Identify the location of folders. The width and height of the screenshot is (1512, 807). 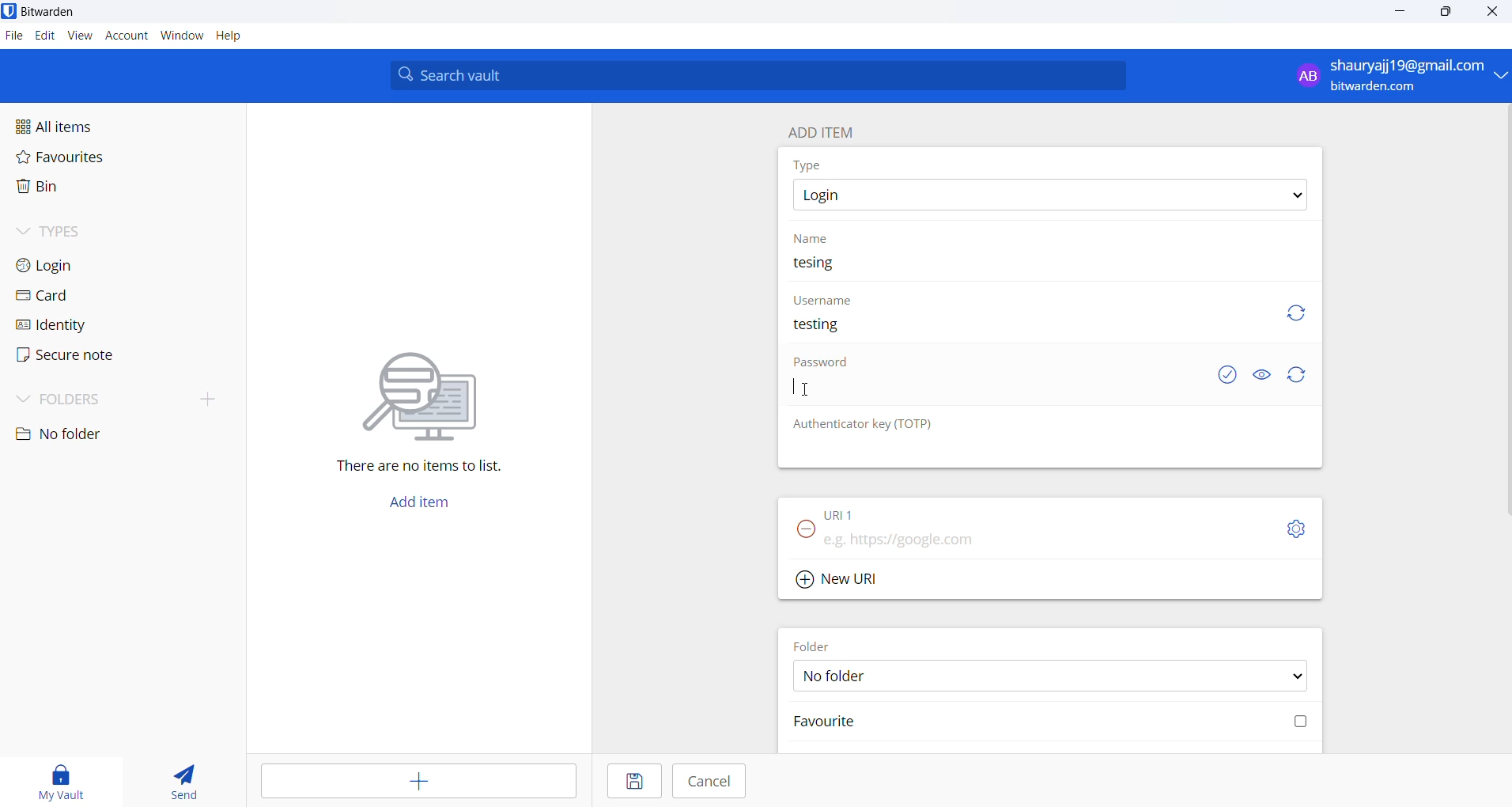
(95, 401).